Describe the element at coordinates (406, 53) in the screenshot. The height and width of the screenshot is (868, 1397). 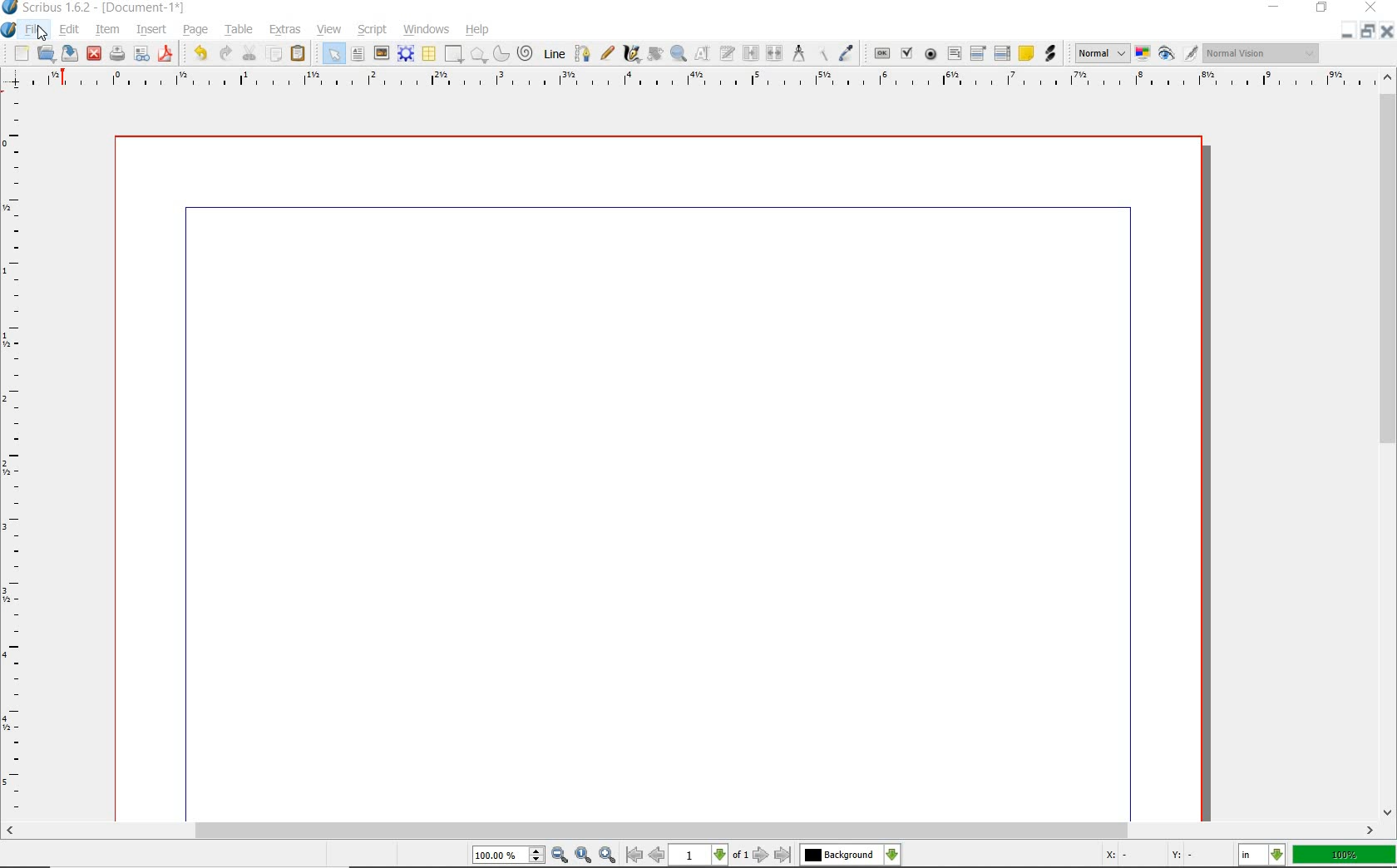
I see `render frame` at that location.